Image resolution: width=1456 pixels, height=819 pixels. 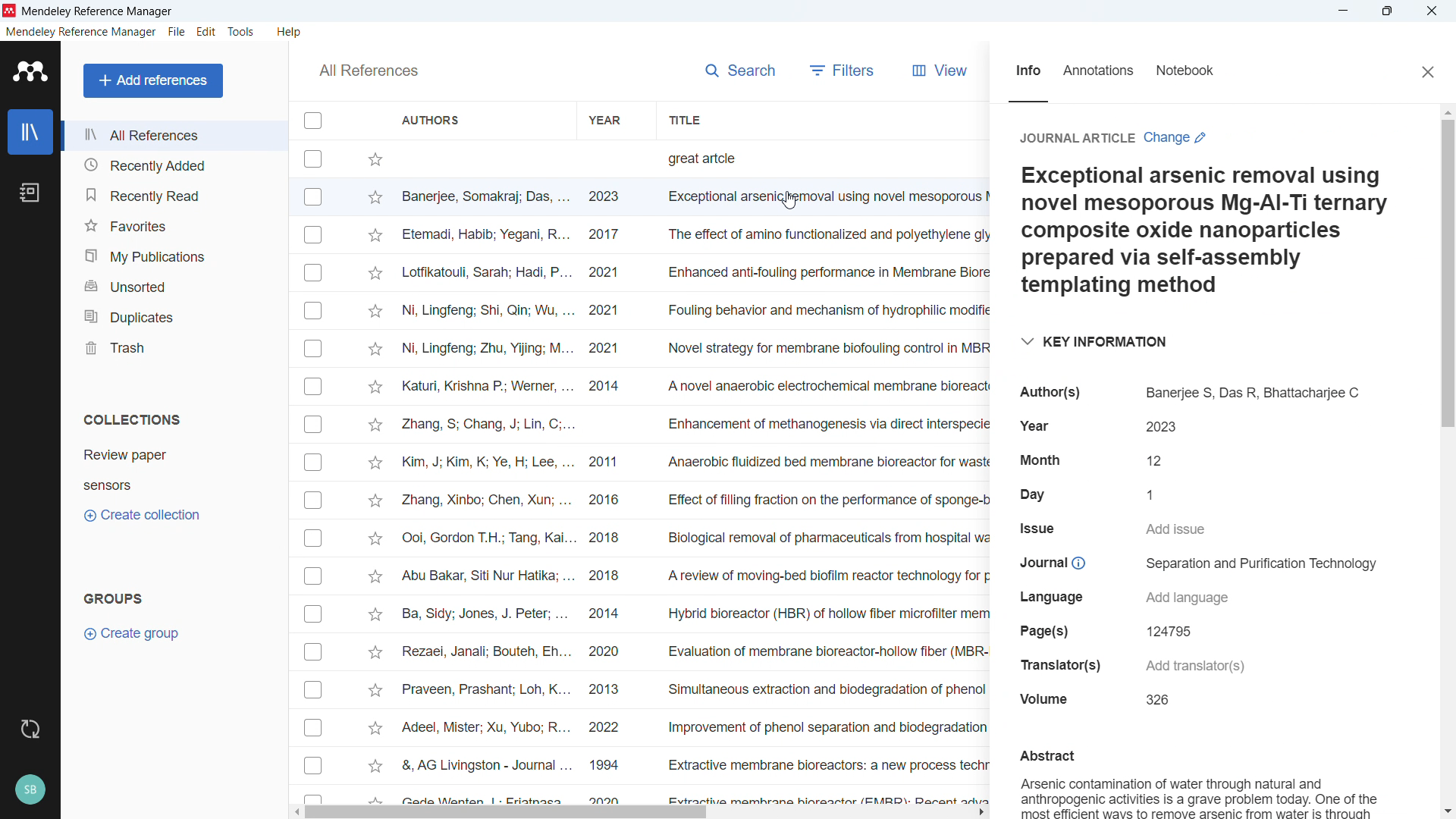 I want to click on mendeley reference manager, so click(x=81, y=32).